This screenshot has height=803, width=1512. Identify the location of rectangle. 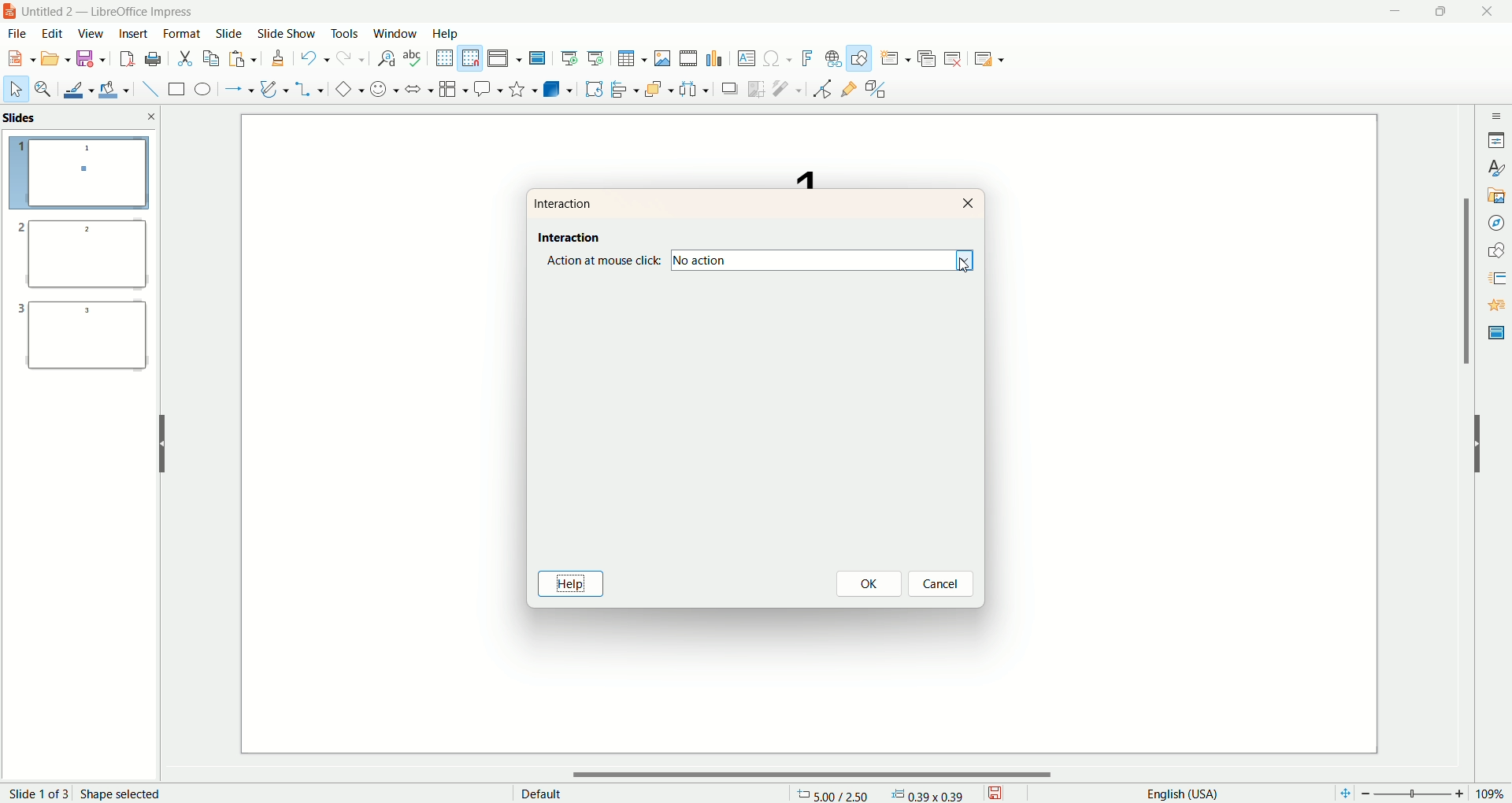
(172, 89).